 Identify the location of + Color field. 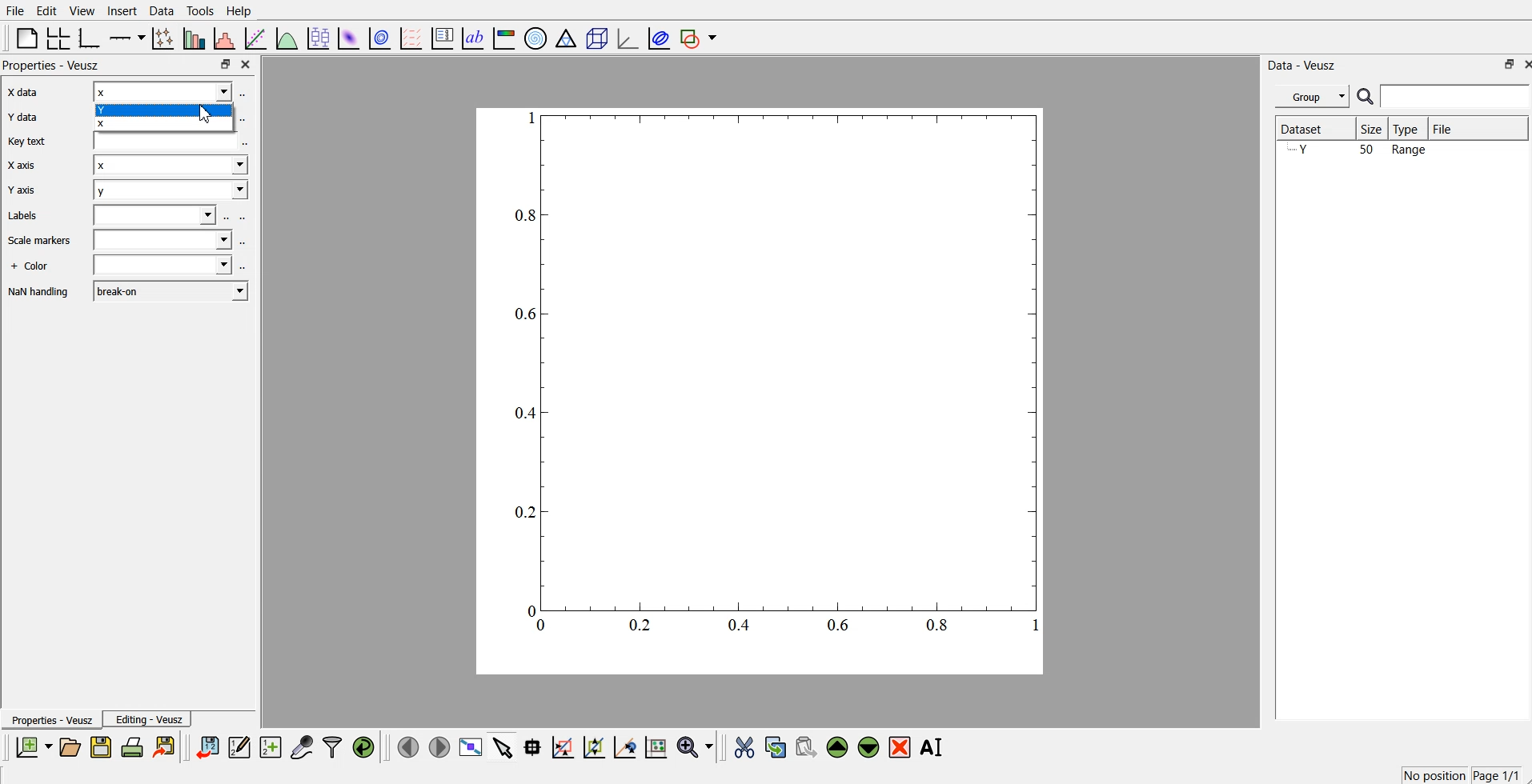
(164, 266).